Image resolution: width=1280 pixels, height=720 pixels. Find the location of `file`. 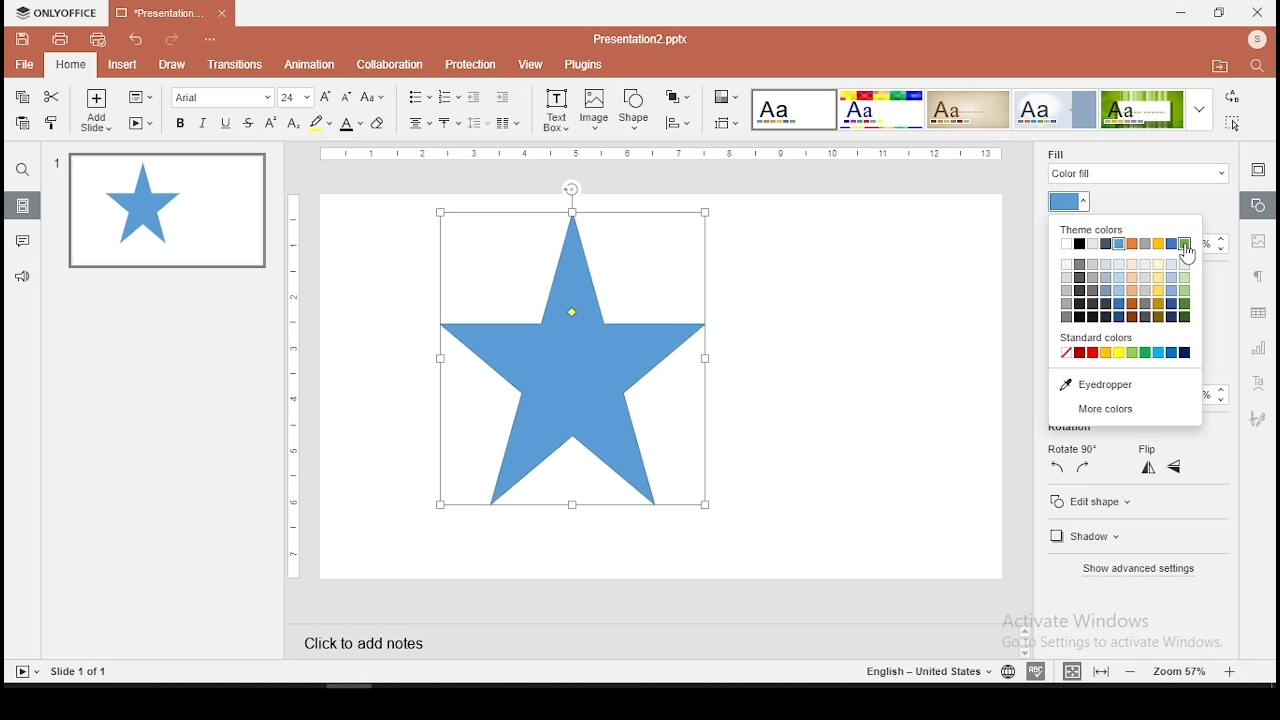

file is located at coordinates (26, 64).